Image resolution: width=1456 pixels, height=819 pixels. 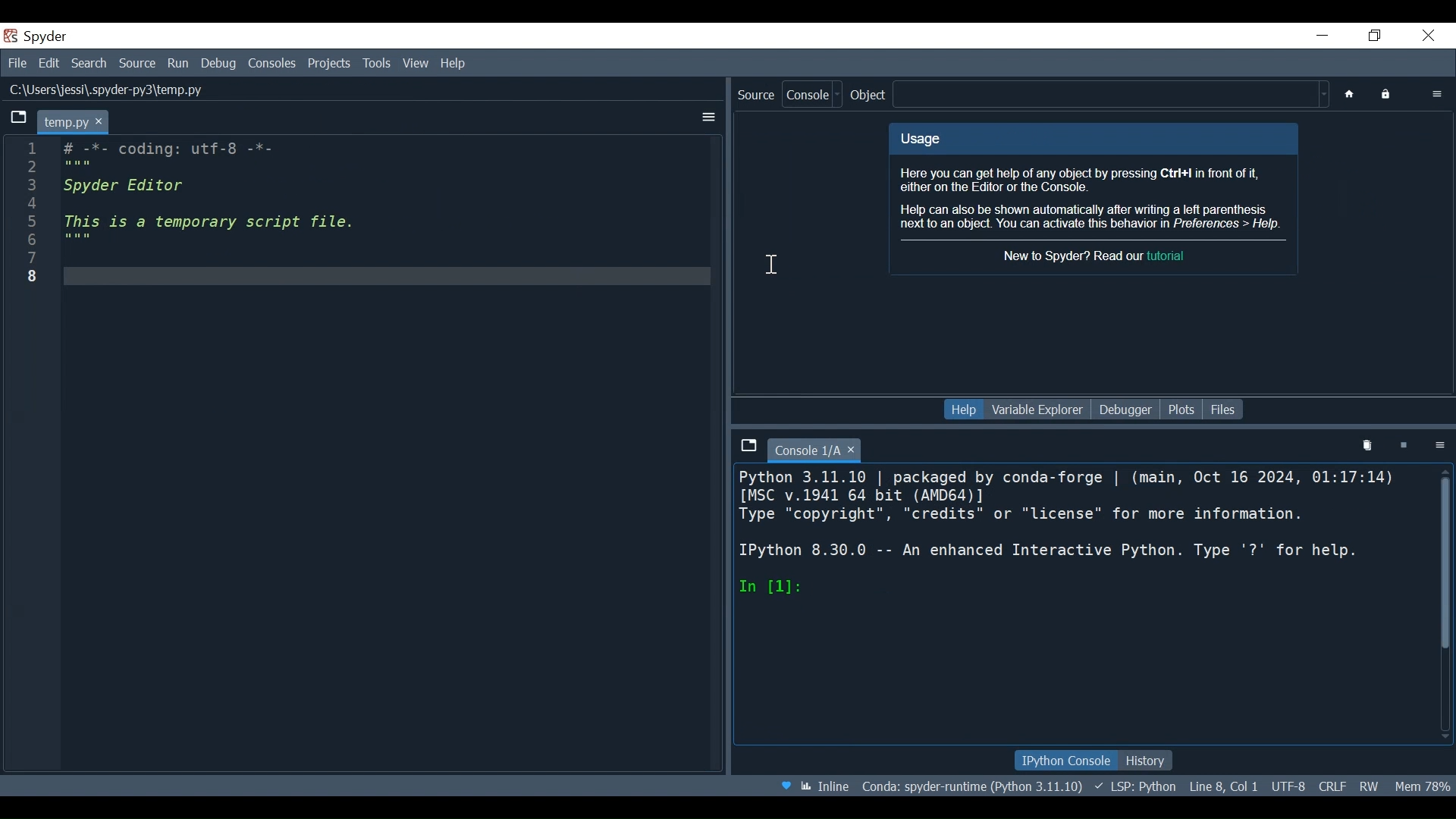 What do you see at coordinates (755, 95) in the screenshot?
I see `Source` at bounding box center [755, 95].